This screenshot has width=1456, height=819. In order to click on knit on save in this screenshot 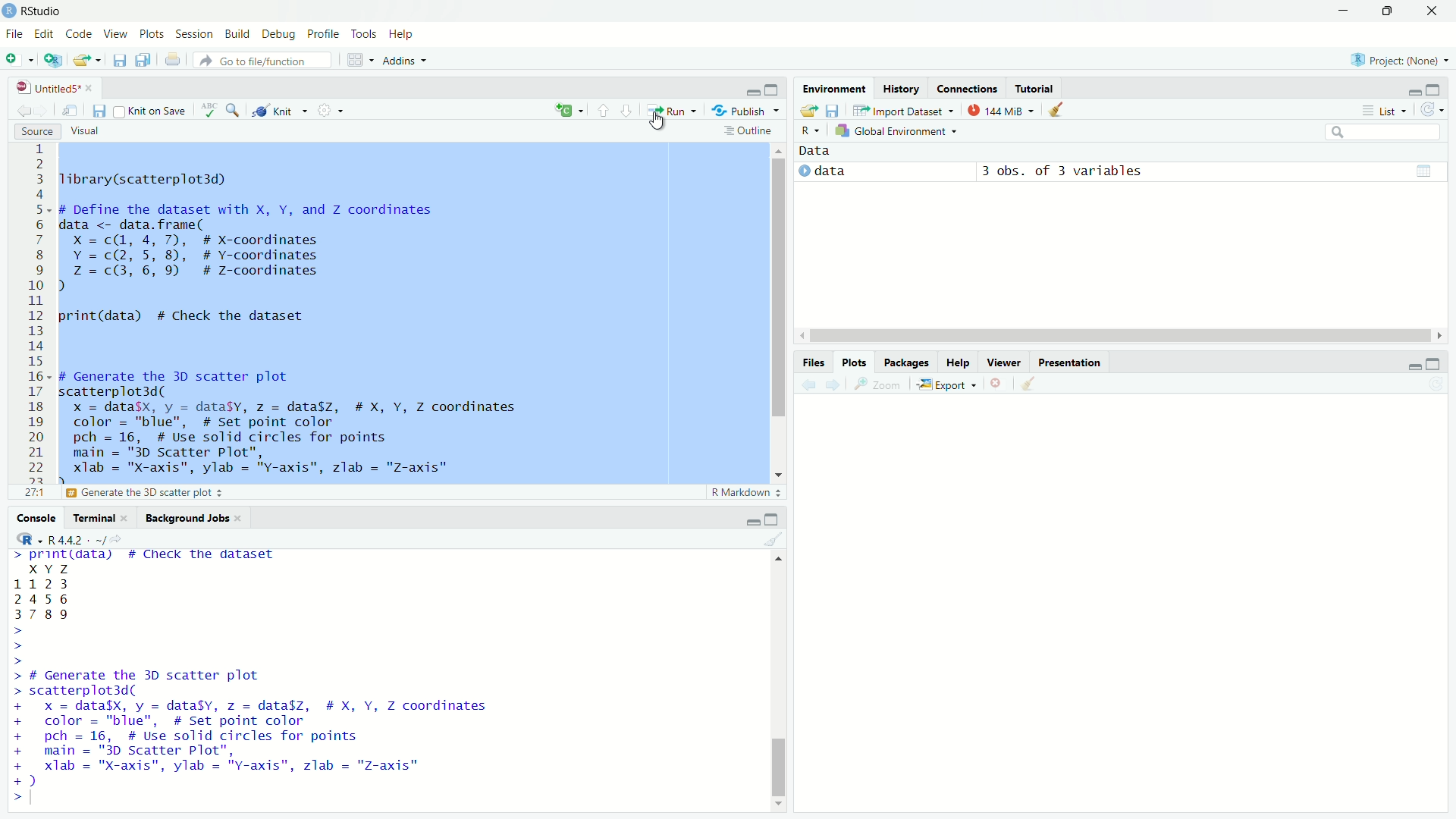, I will do `click(149, 111)`.